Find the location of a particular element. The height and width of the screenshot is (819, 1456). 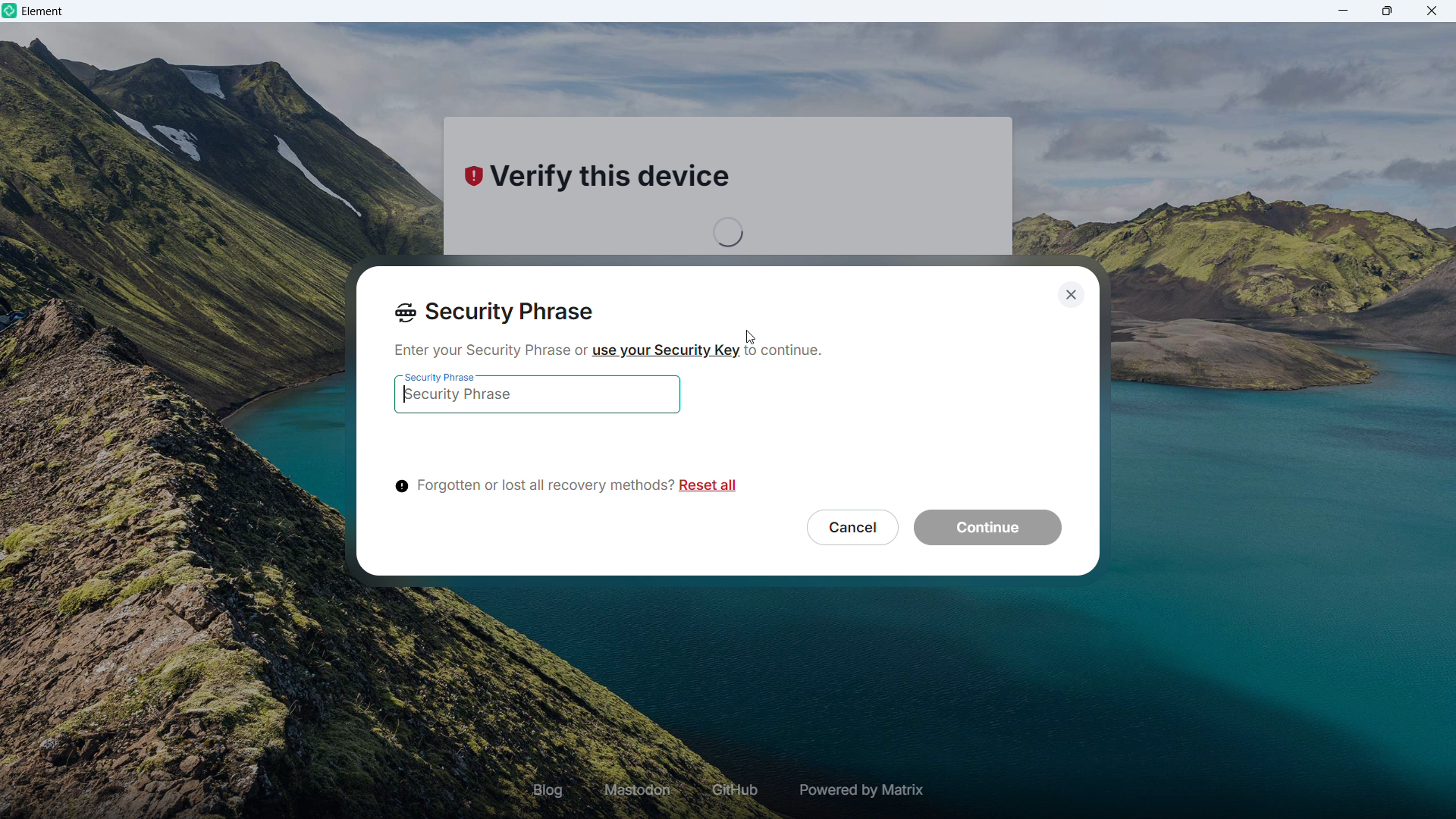

Enter security phrase  is located at coordinates (536, 400).